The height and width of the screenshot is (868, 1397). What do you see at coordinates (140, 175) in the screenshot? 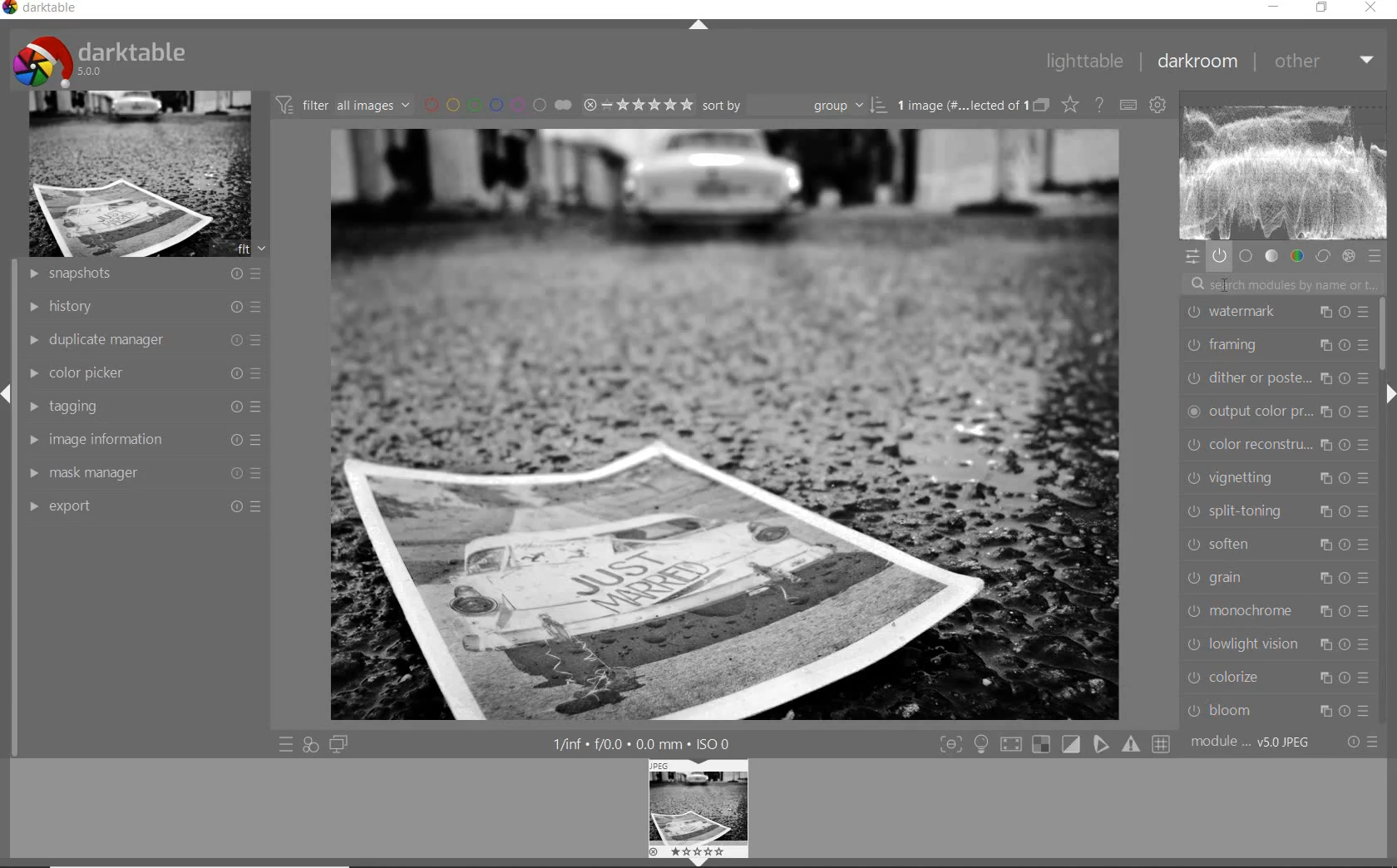
I see `image` at bounding box center [140, 175].